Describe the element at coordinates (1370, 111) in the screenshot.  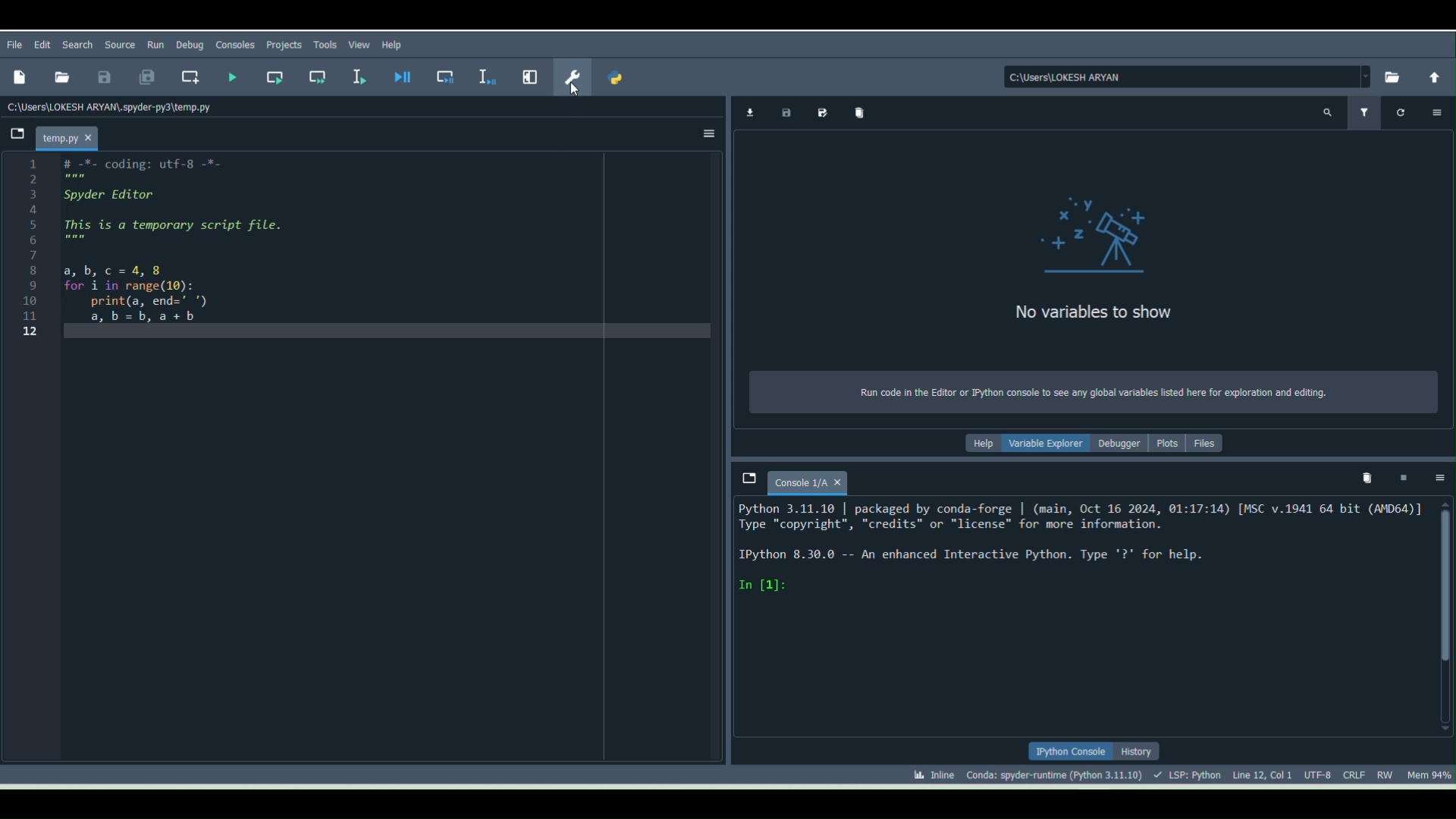
I see `Filter variables` at that location.